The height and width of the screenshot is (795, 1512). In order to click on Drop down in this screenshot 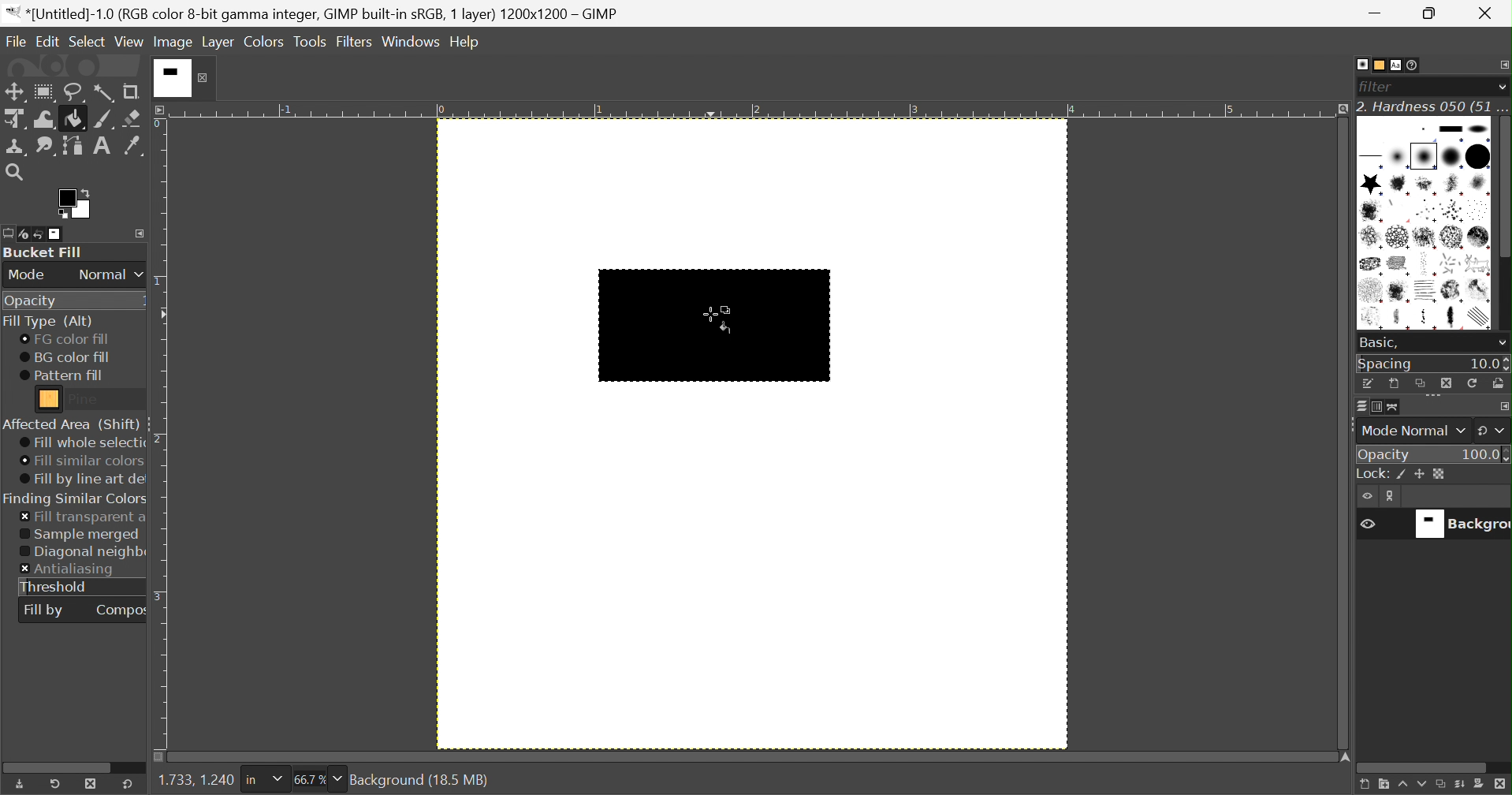, I will do `click(1502, 87)`.